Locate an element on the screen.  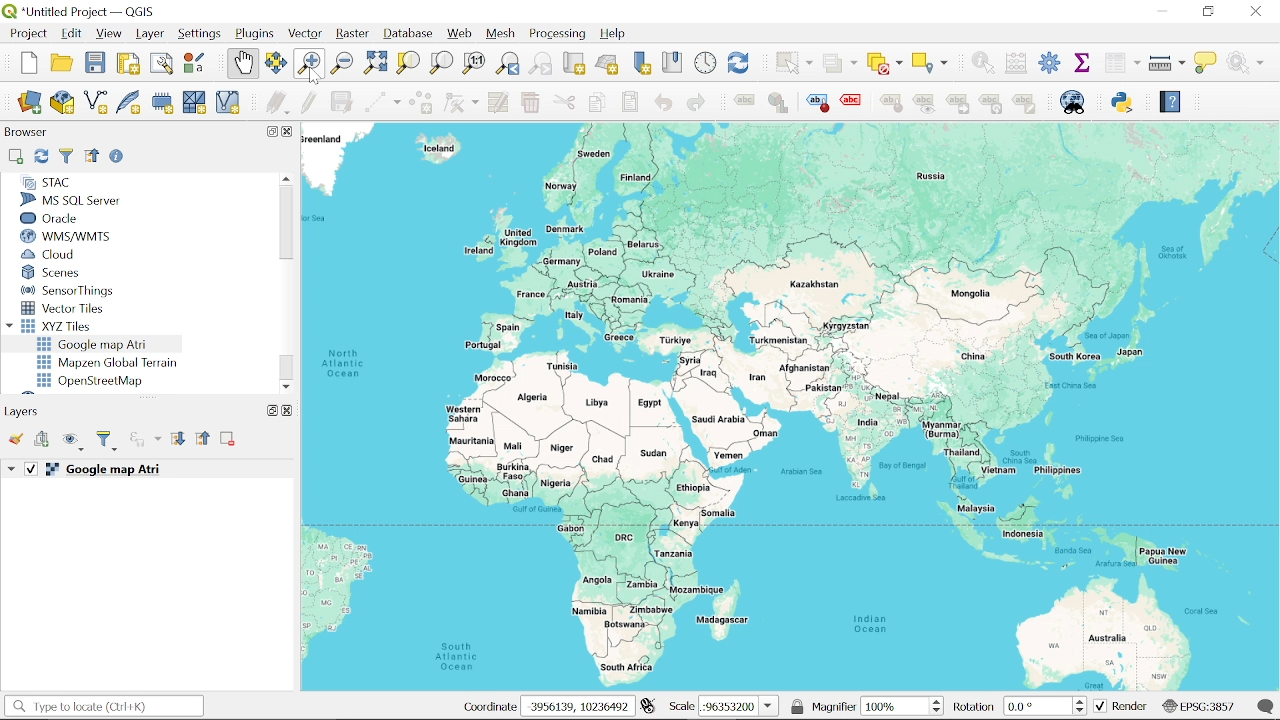
Show statistical summary is located at coordinates (1084, 62).